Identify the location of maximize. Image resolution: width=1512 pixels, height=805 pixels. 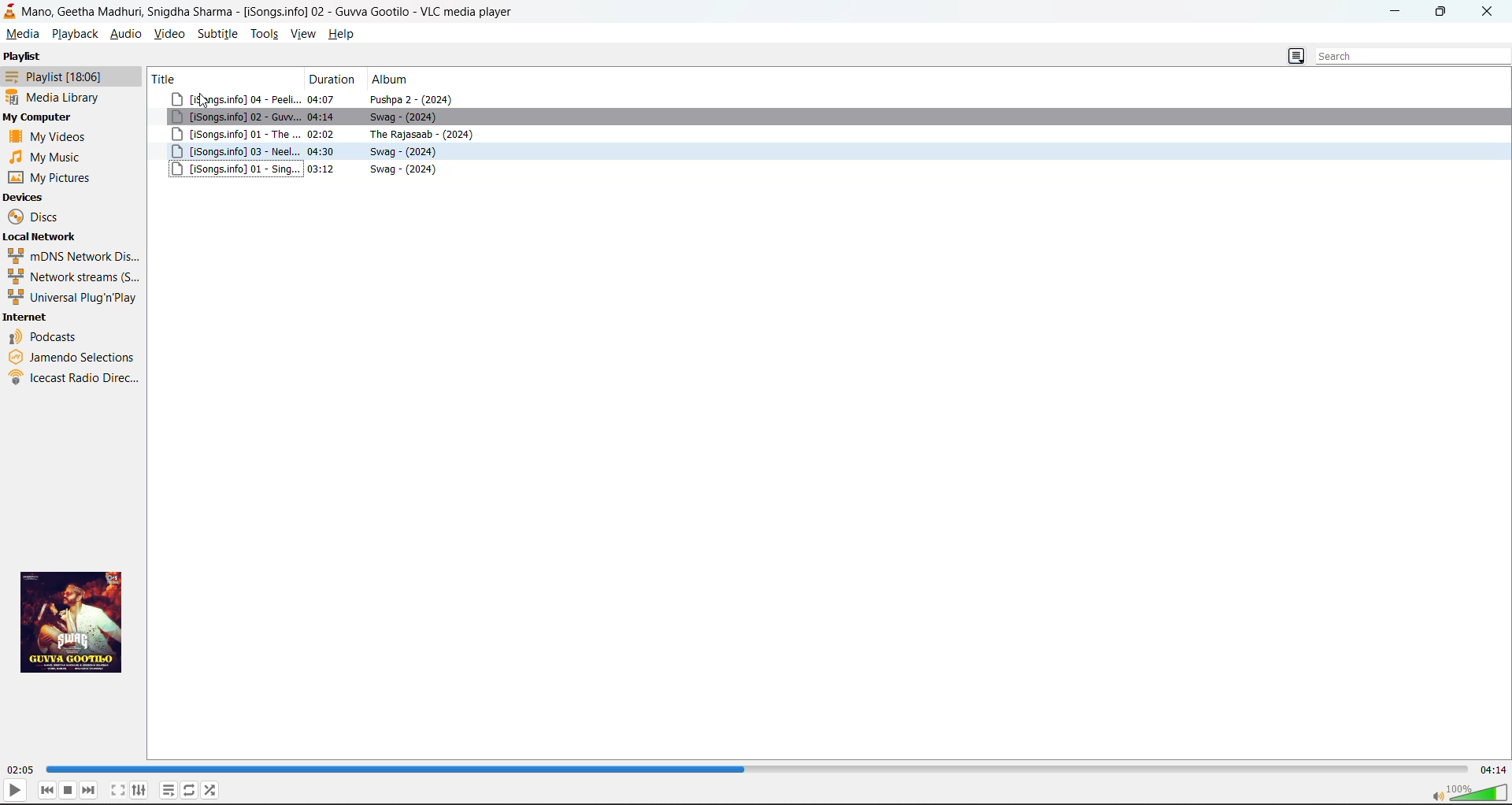
(1443, 13).